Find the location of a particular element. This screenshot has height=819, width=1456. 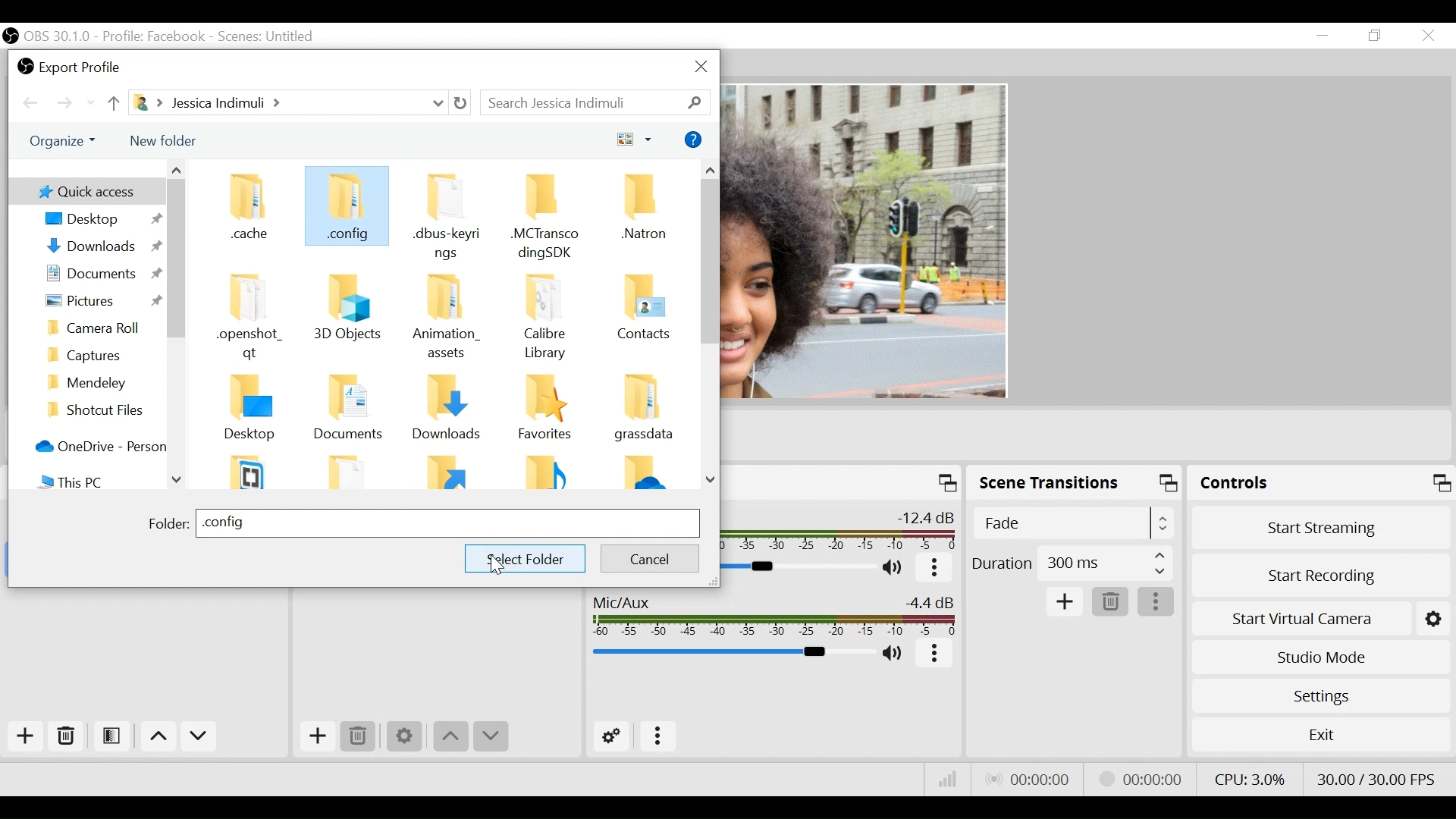

(un)mute is located at coordinates (895, 654).